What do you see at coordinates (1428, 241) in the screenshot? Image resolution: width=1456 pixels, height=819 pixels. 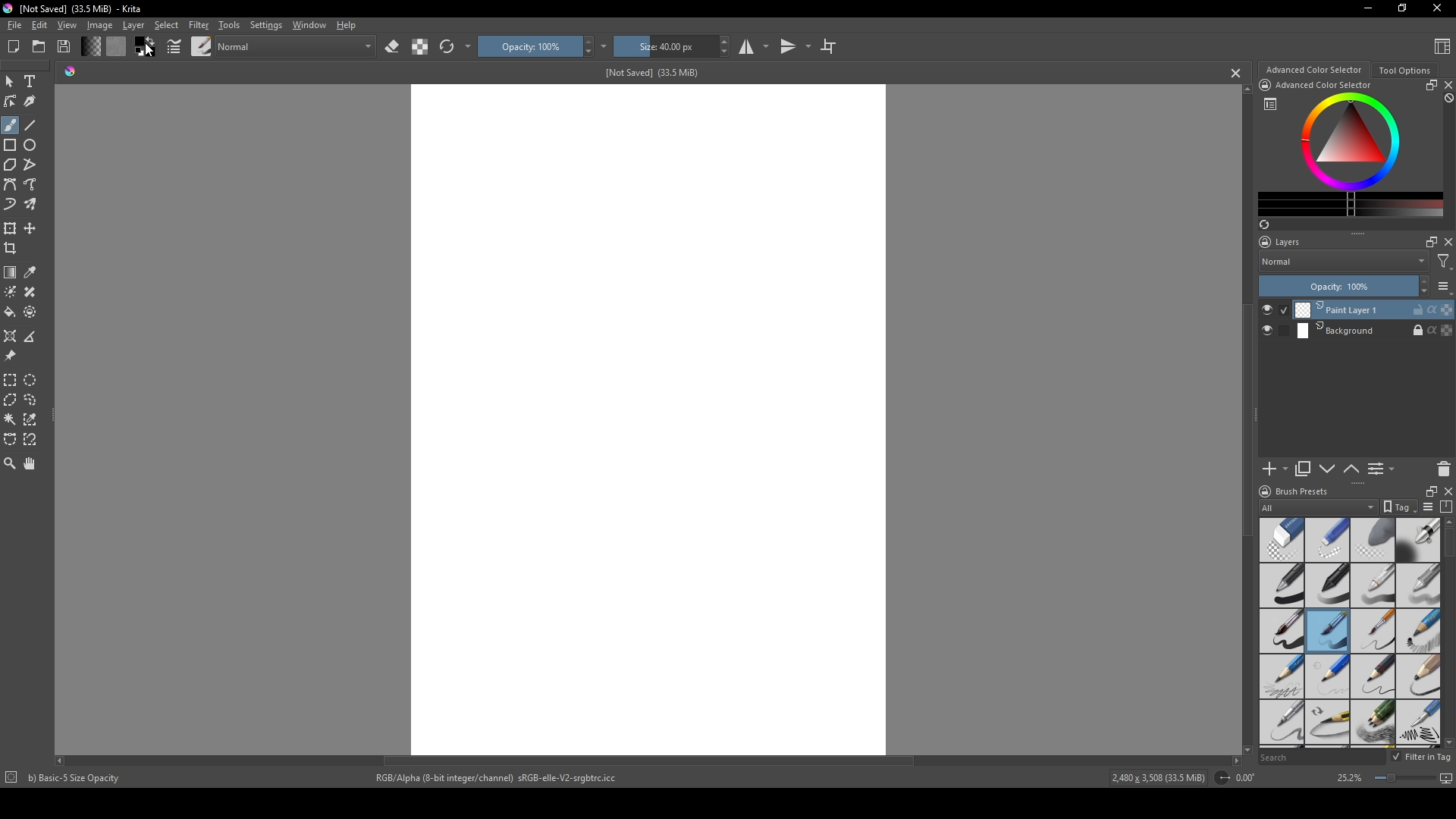 I see `maximize` at bounding box center [1428, 241].